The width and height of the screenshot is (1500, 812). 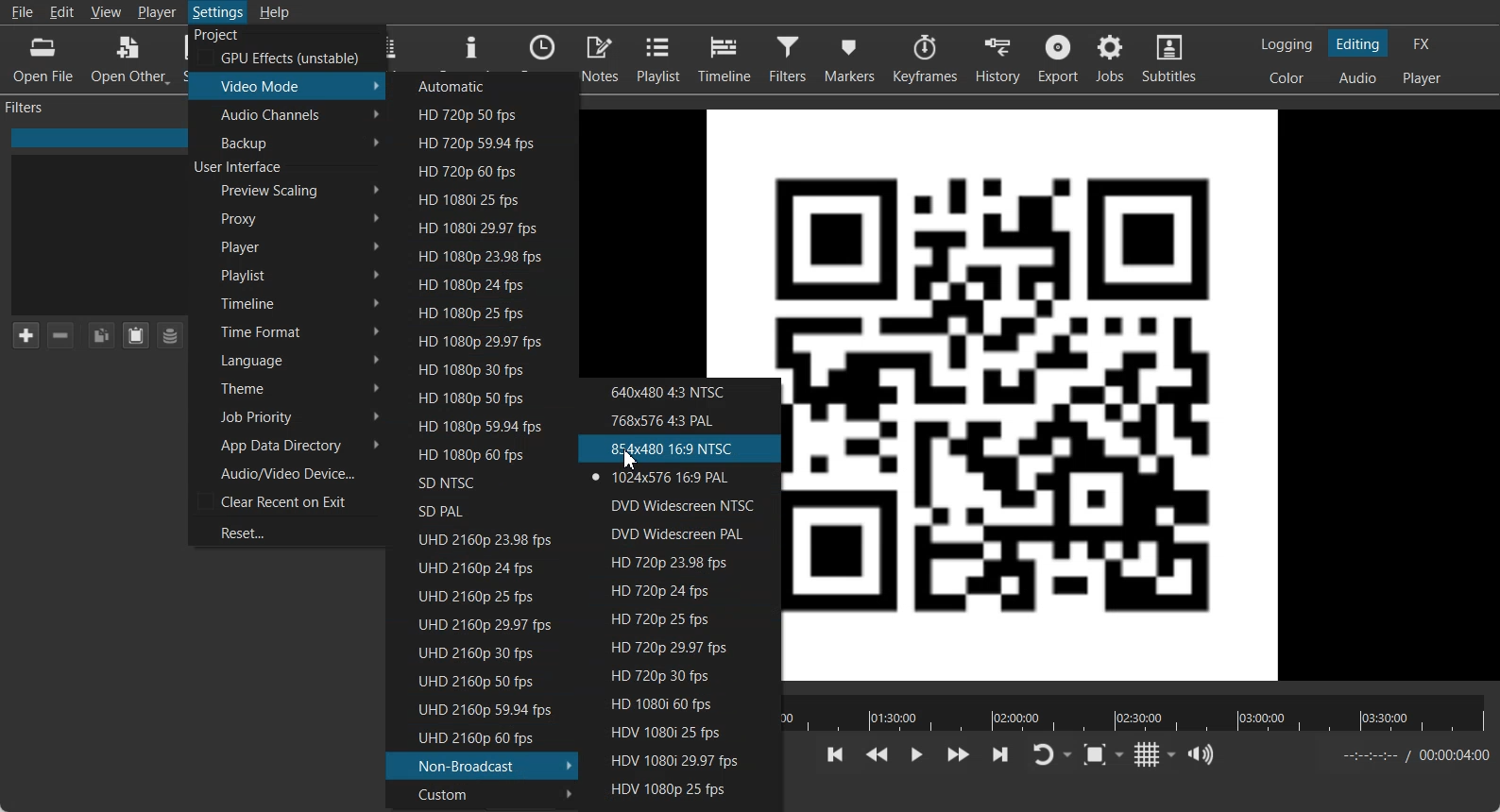 What do you see at coordinates (1288, 77) in the screenshot?
I see `Switch to the color layout` at bounding box center [1288, 77].